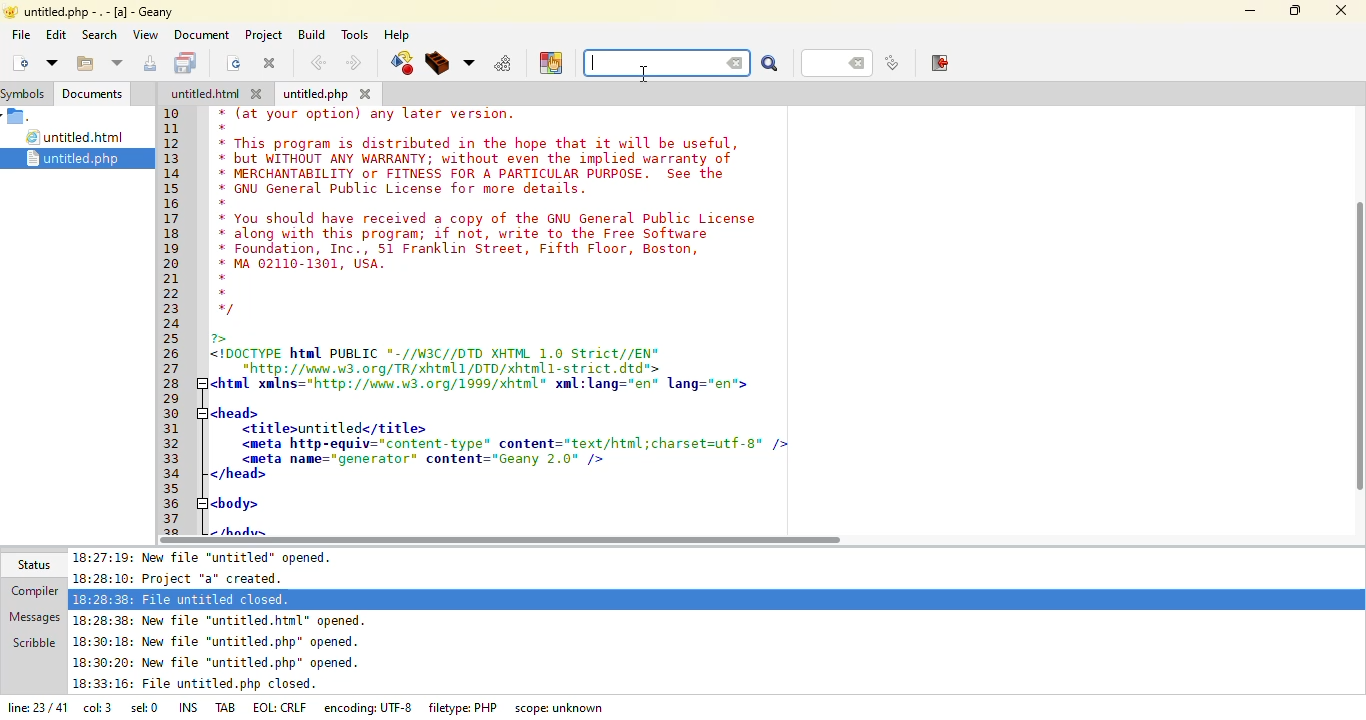 Image resolution: width=1366 pixels, height=720 pixels. What do you see at coordinates (270, 62) in the screenshot?
I see `close` at bounding box center [270, 62].